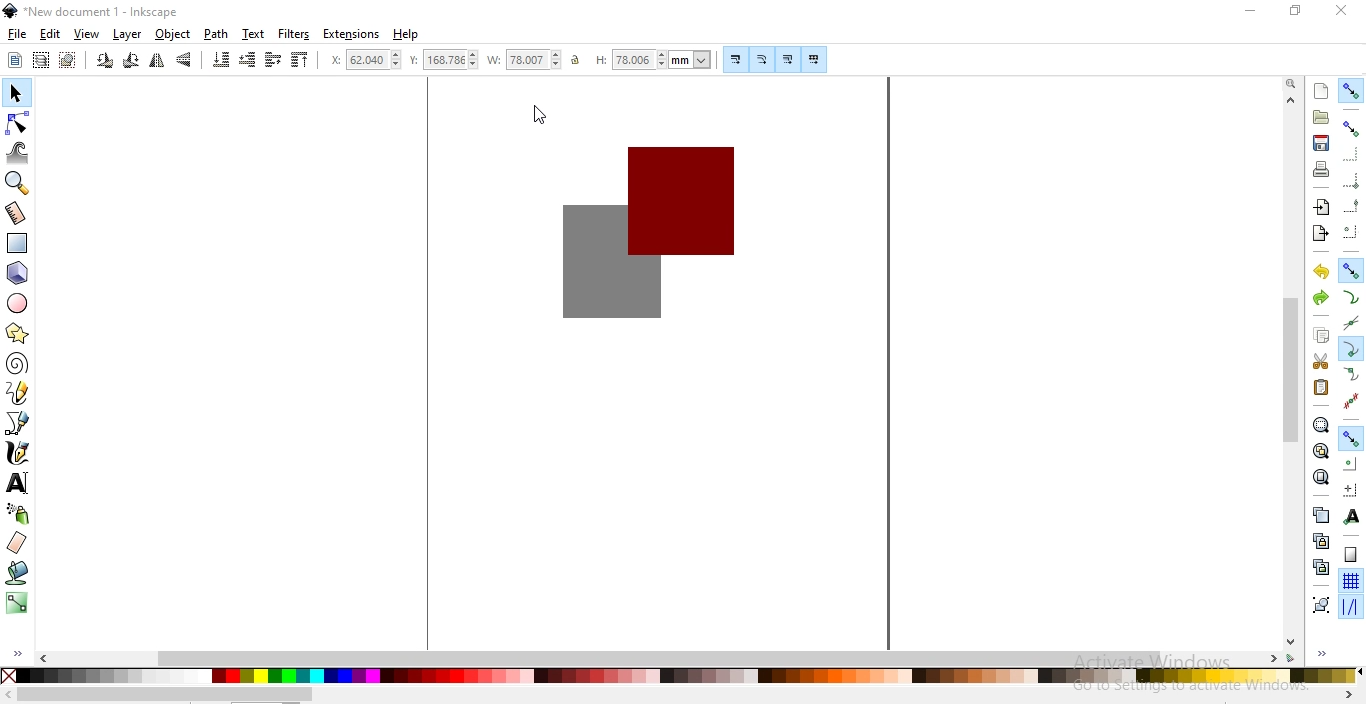  What do you see at coordinates (1350, 582) in the screenshot?
I see `snap to grids` at bounding box center [1350, 582].